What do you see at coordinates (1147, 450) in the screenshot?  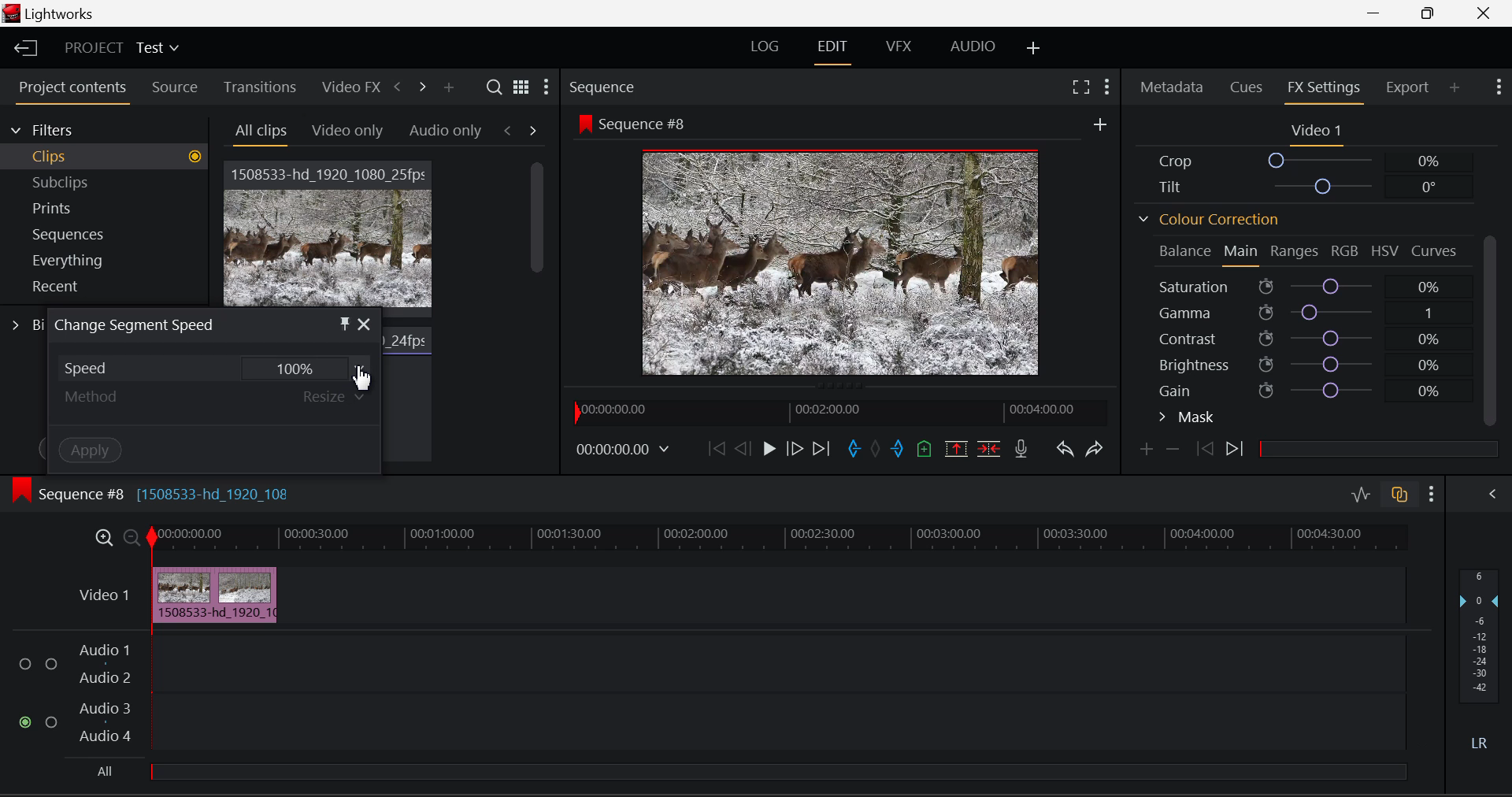 I see `Add Keyframe` at bounding box center [1147, 450].